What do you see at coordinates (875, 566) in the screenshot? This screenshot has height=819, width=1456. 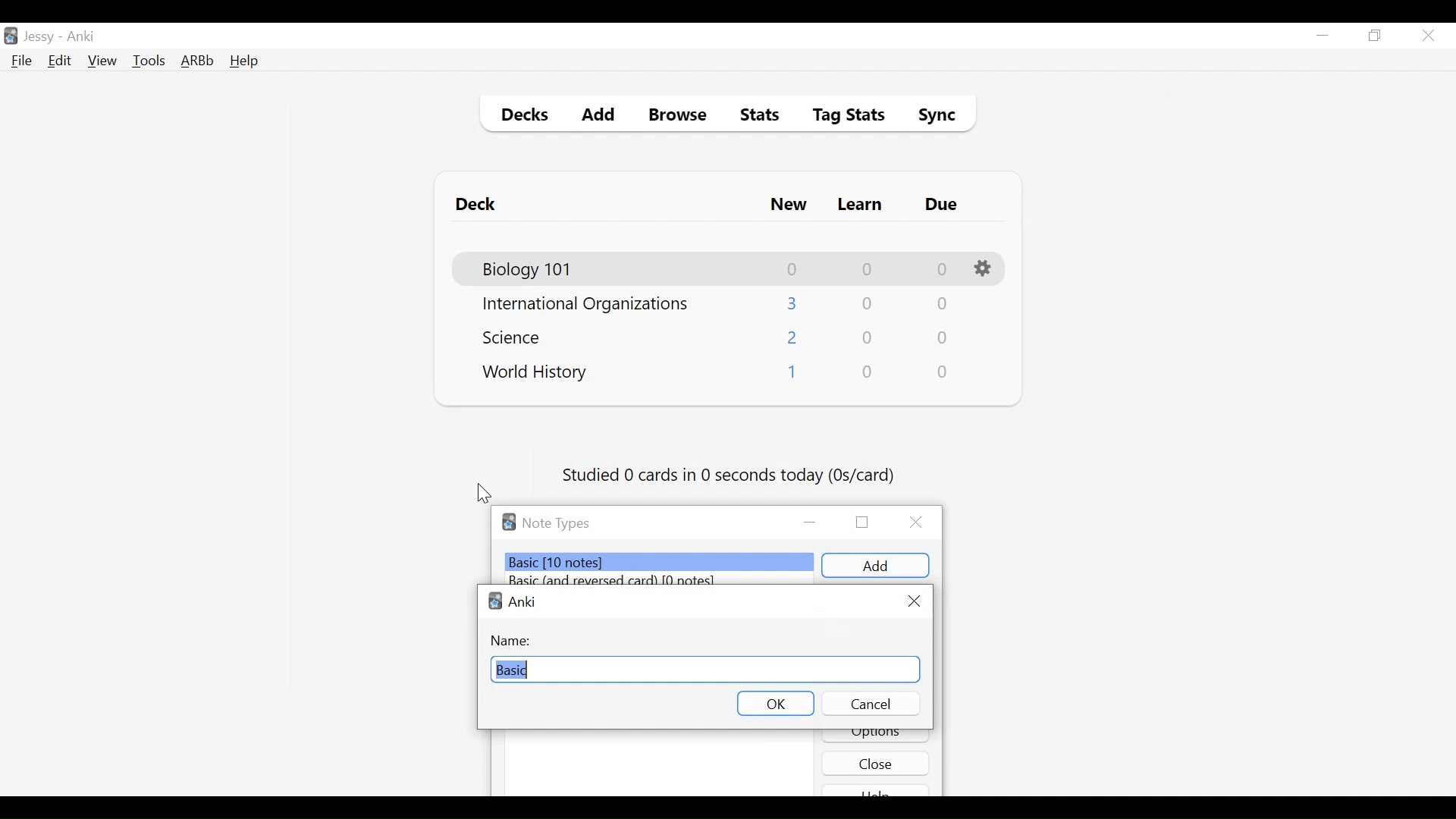 I see `` at bounding box center [875, 566].